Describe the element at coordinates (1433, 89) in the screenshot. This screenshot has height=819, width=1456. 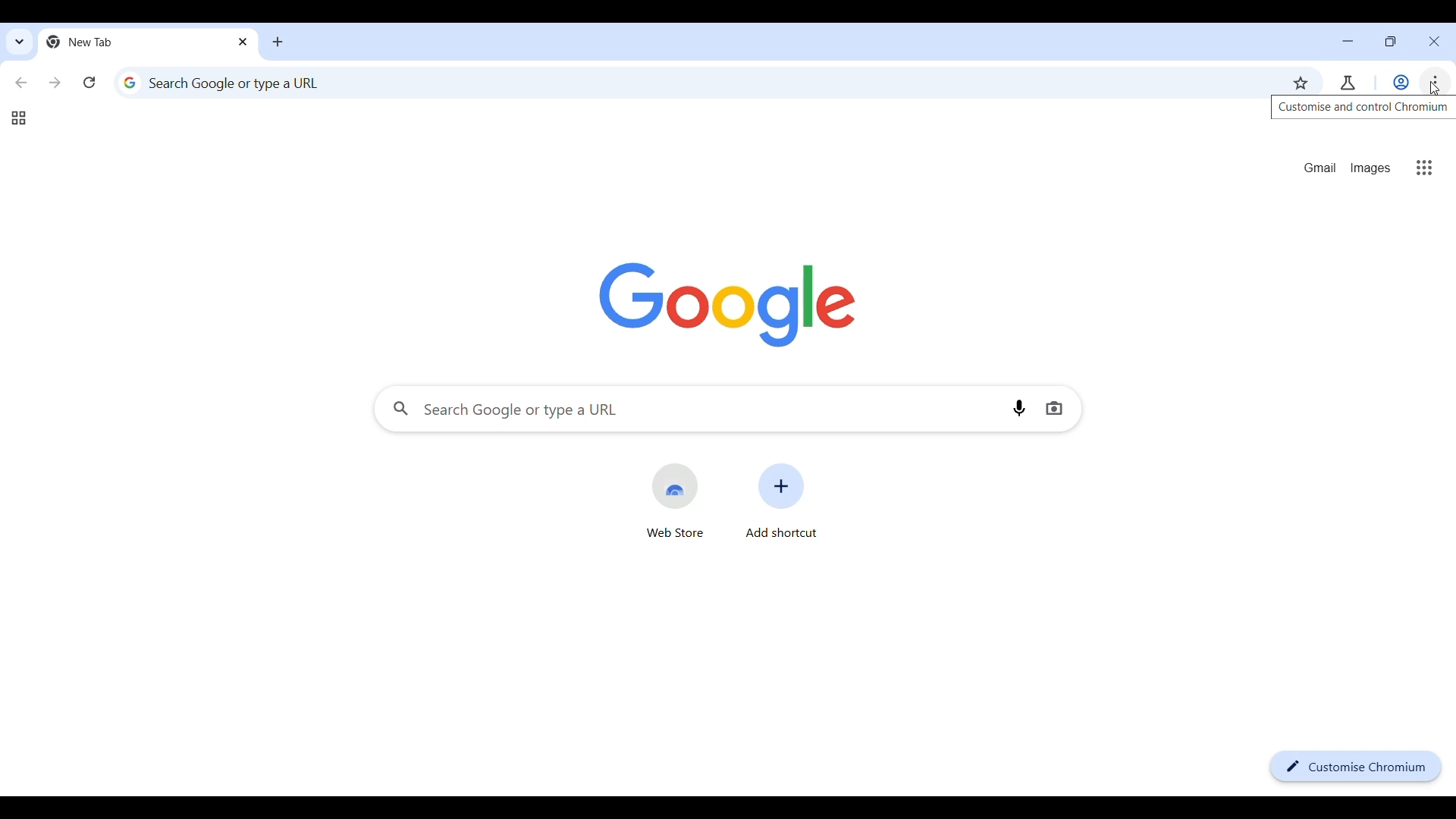
I see `Cursor` at that location.